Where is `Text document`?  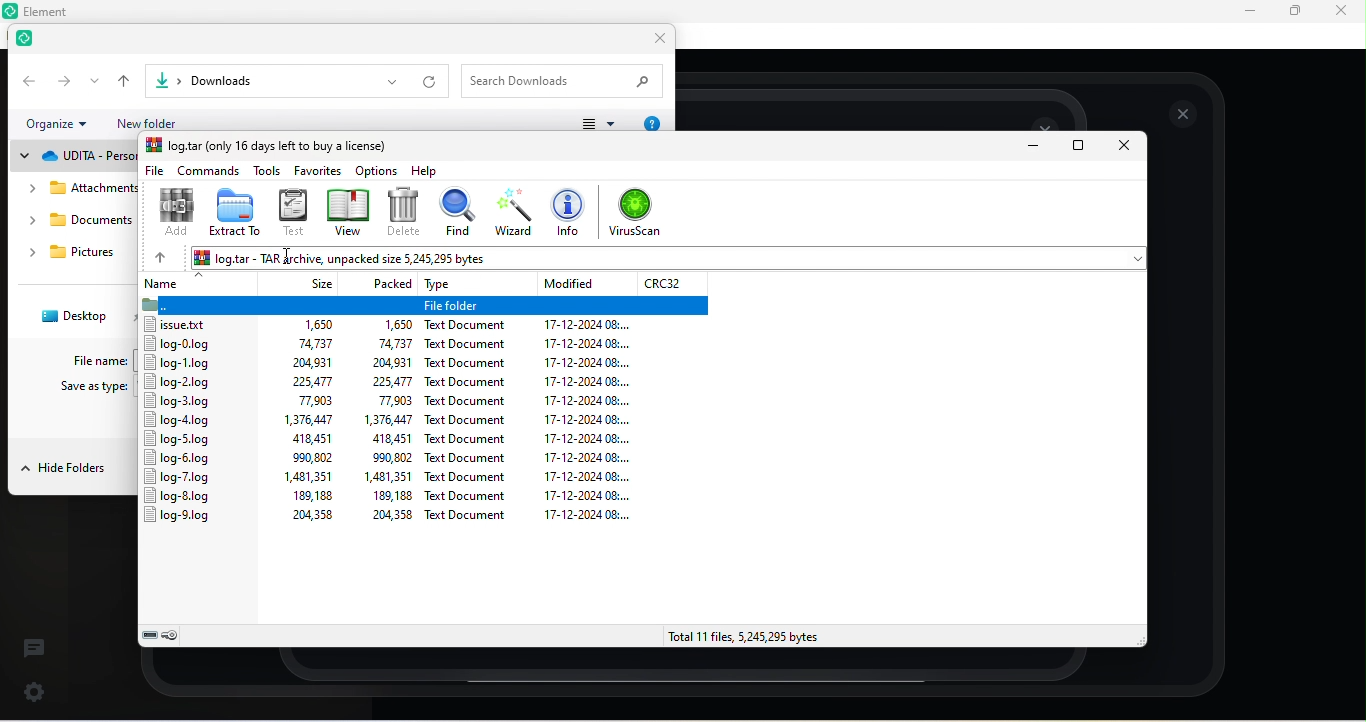 Text document is located at coordinates (469, 401).